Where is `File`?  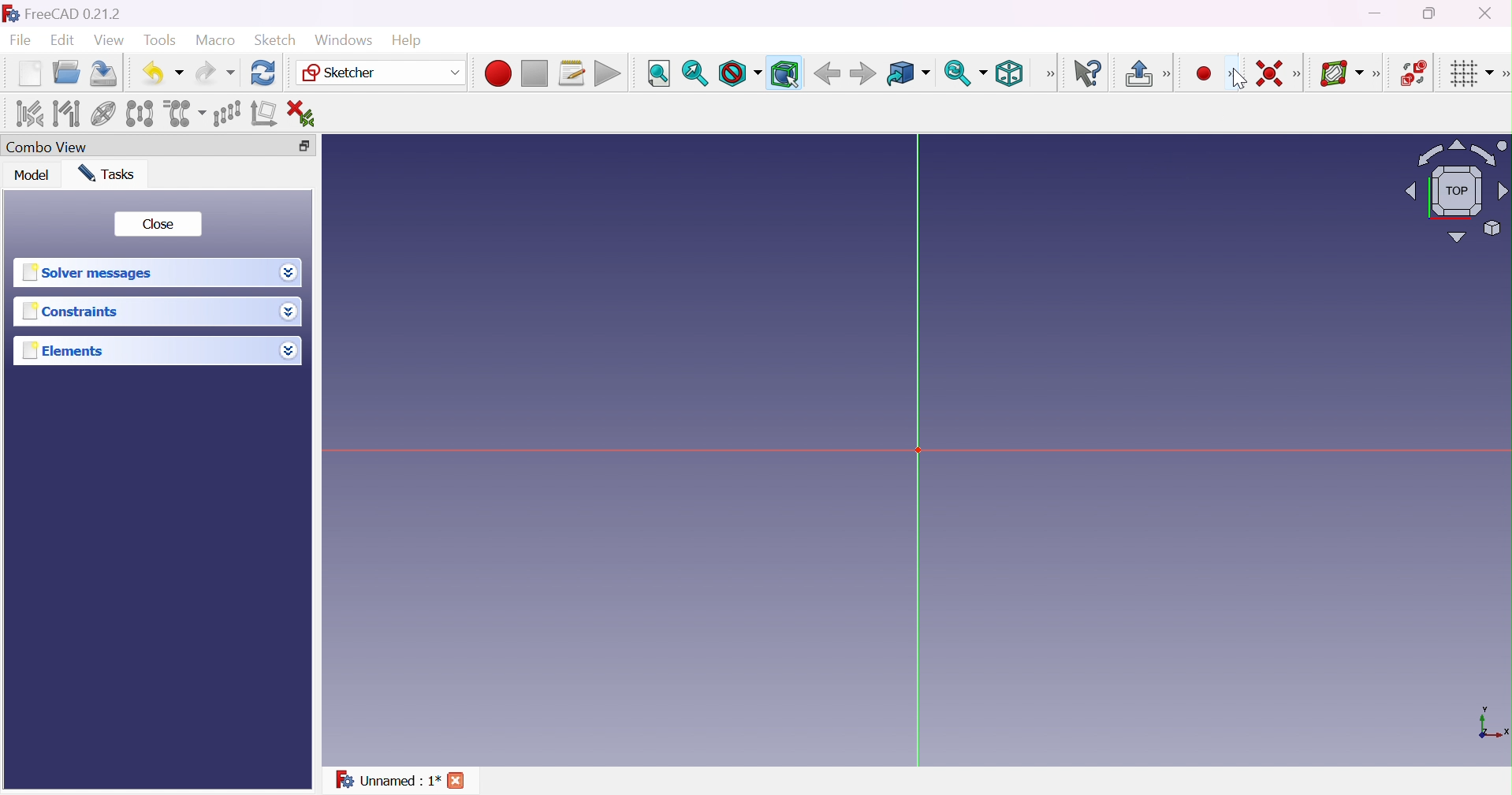 File is located at coordinates (21, 41).